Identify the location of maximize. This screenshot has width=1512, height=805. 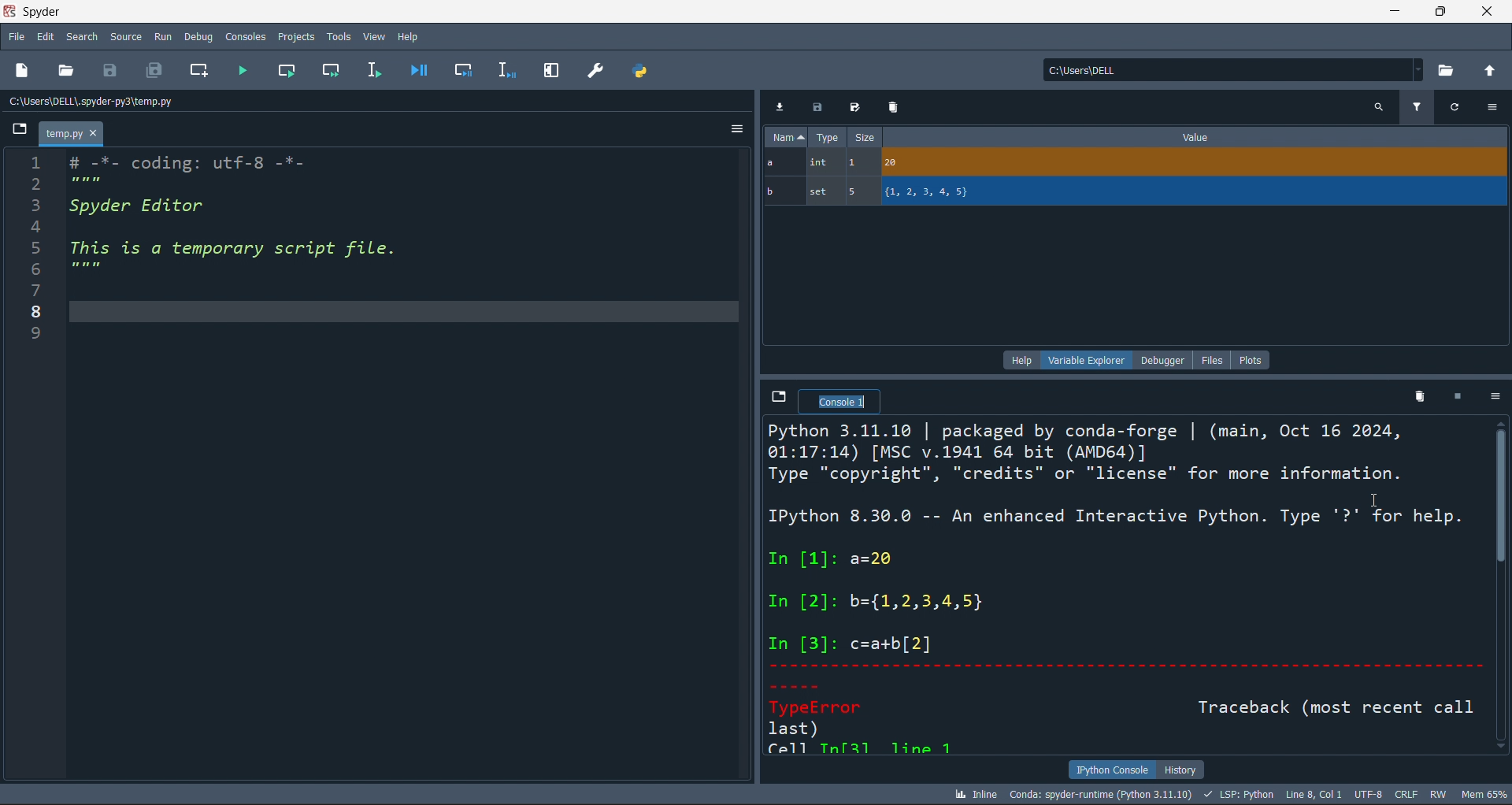
(1439, 11).